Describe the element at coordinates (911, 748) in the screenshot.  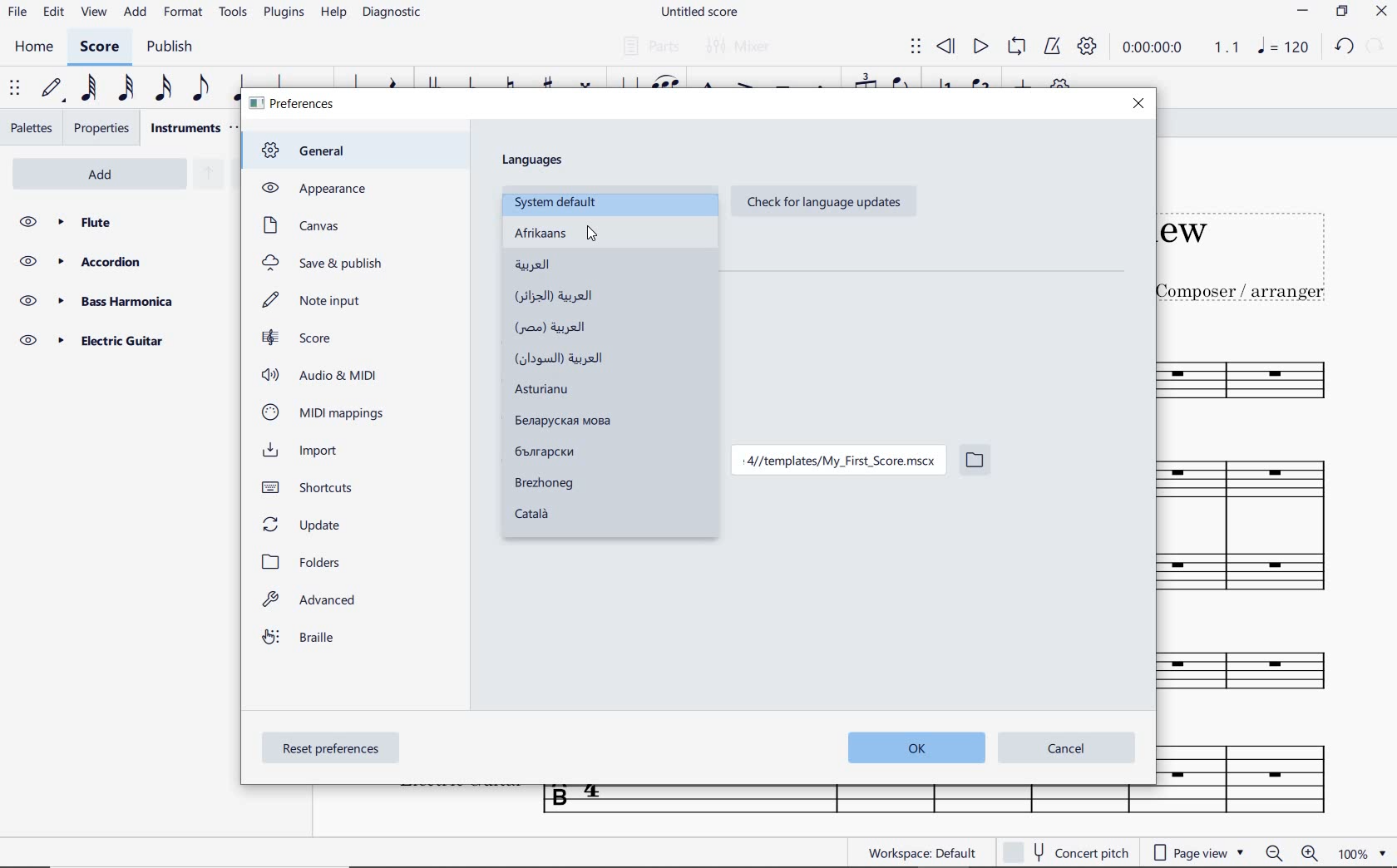
I see `ok` at that location.